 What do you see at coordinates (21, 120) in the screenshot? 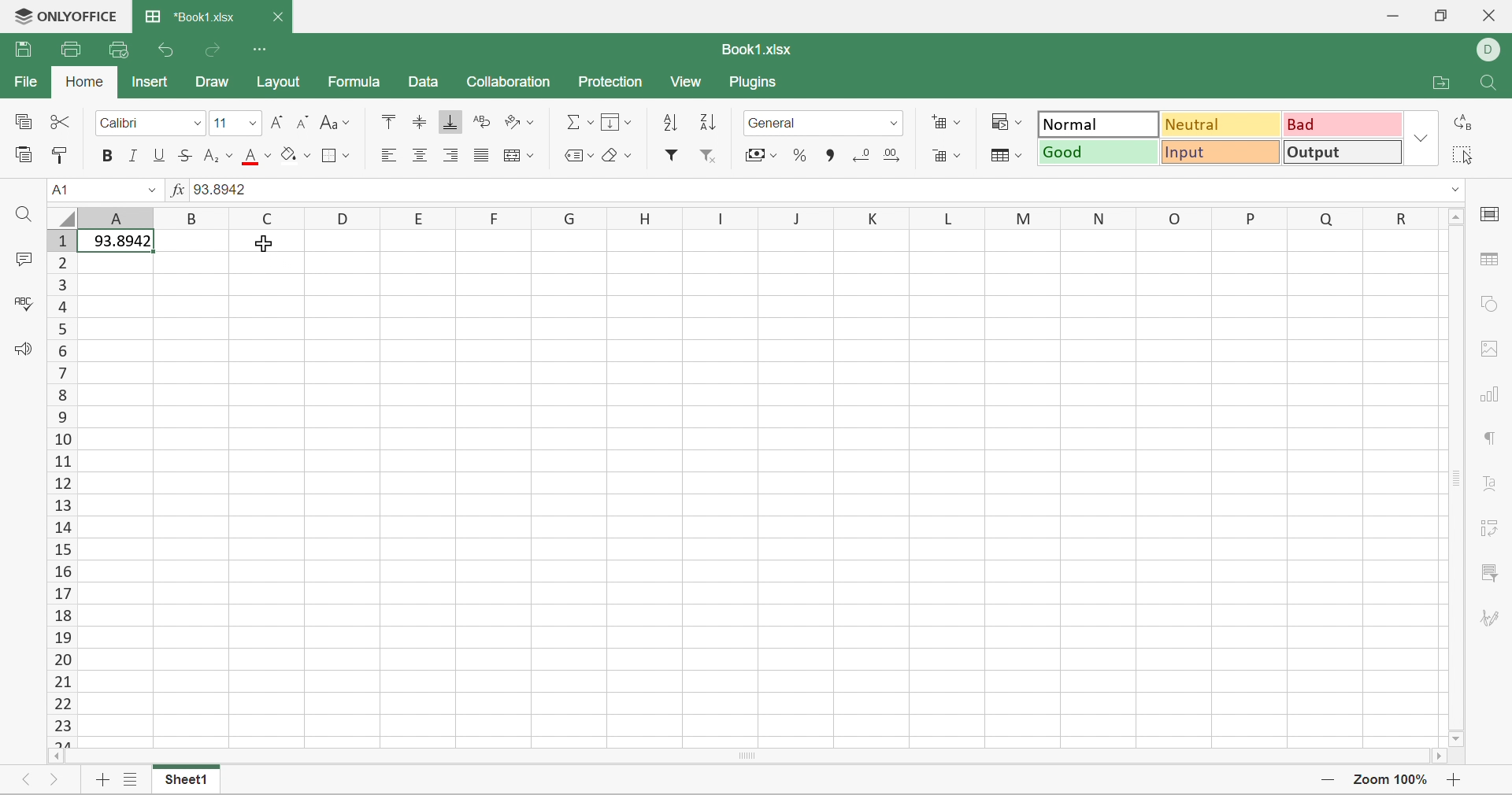
I see `Copy` at bounding box center [21, 120].